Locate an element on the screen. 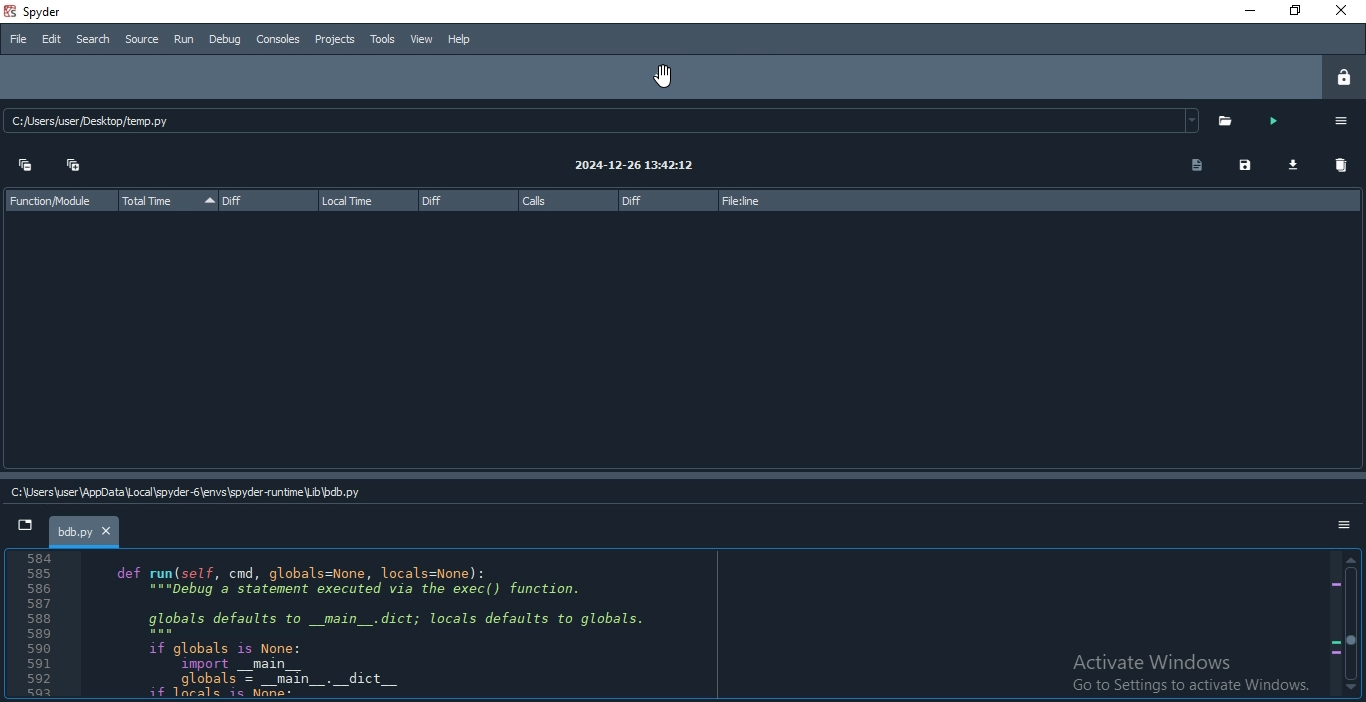 This screenshot has width=1366, height=702. cursor is located at coordinates (665, 77).